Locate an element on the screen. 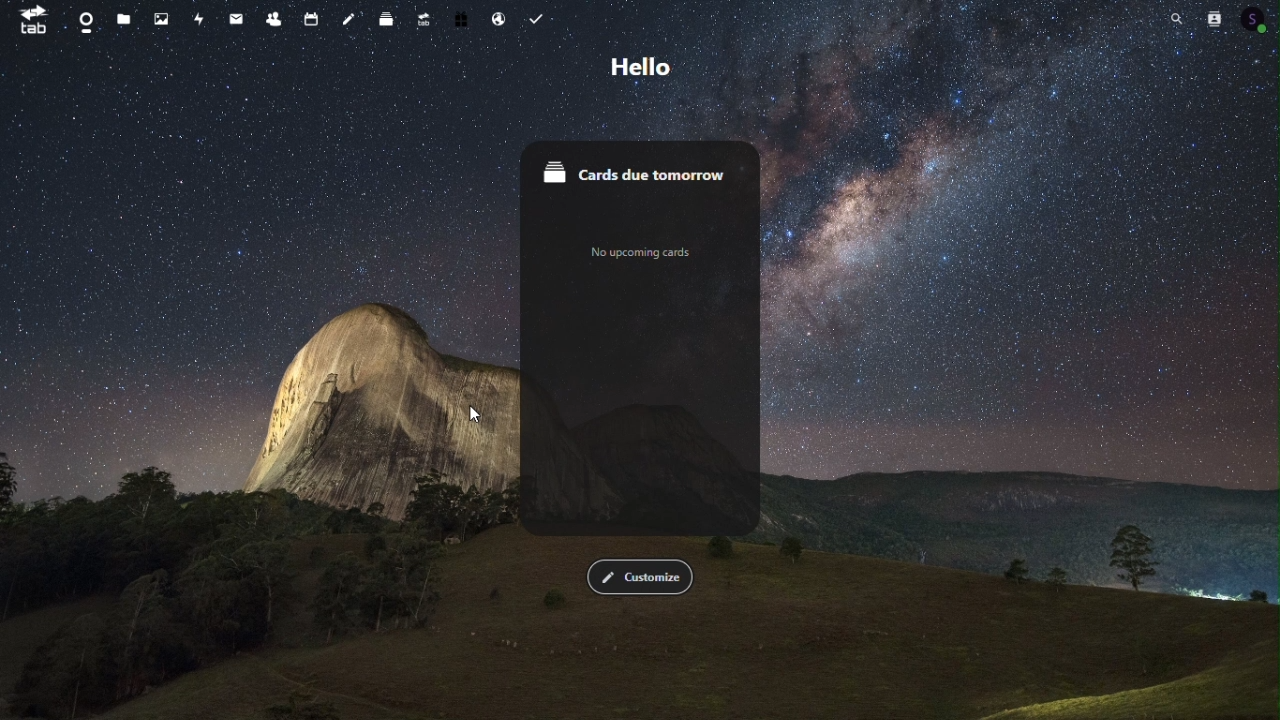 This screenshot has height=720, width=1280. Email hosting is located at coordinates (499, 18).